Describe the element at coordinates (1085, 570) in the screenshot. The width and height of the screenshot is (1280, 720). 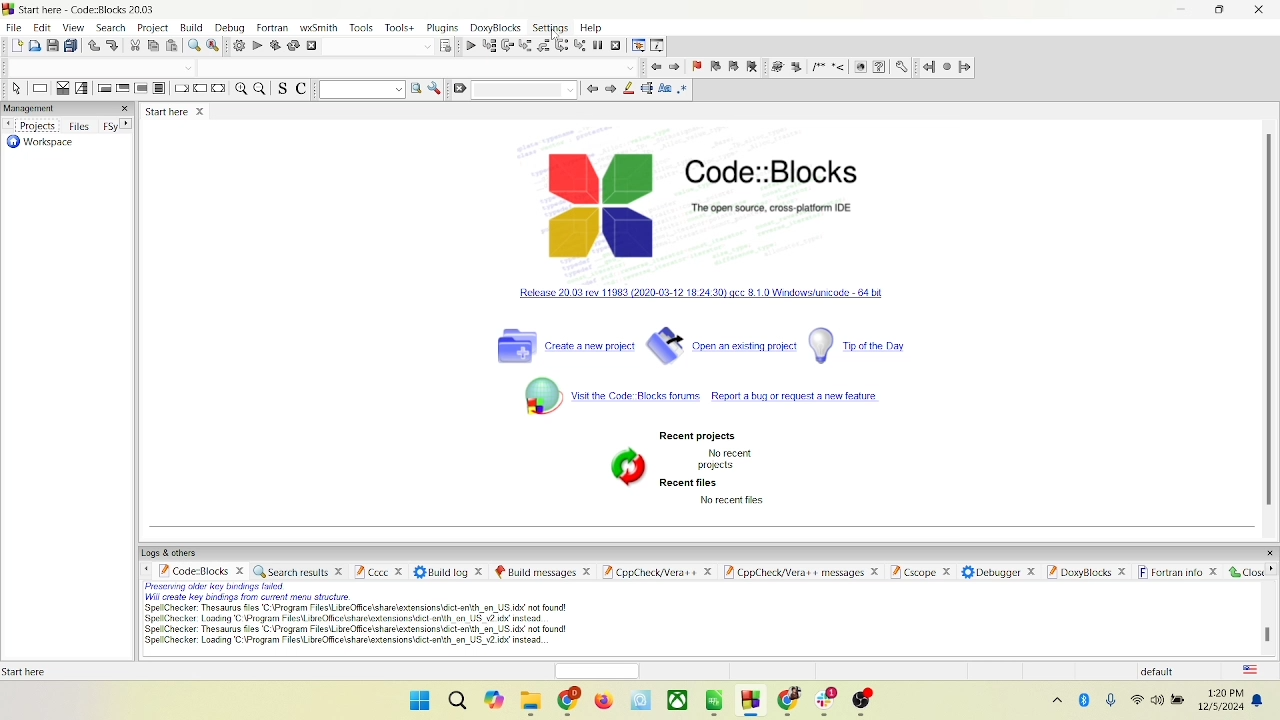
I see `doxyblocks` at that location.